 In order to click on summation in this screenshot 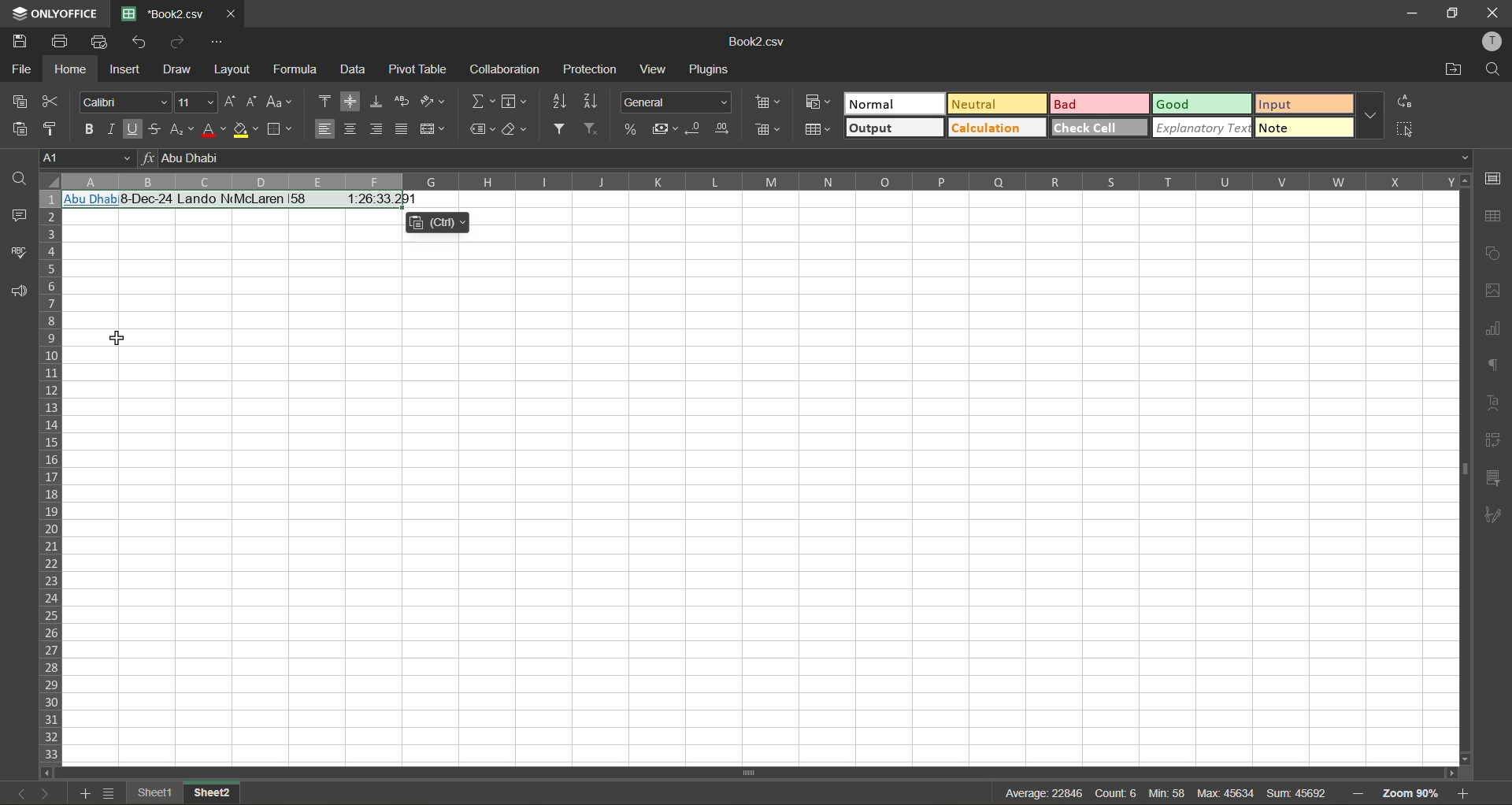, I will do `click(482, 101)`.